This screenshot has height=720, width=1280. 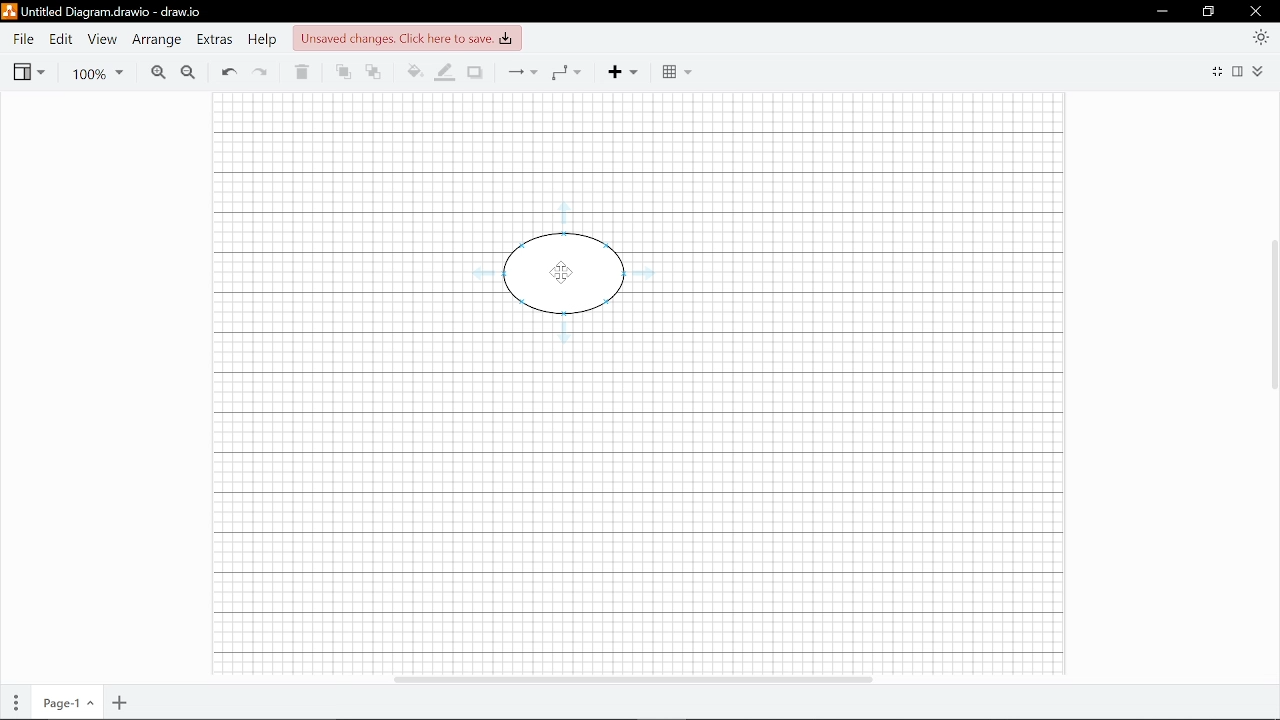 What do you see at coordinates (69, 704) in the screenshot?
I see `Current page` at bounding box center [69, 704].